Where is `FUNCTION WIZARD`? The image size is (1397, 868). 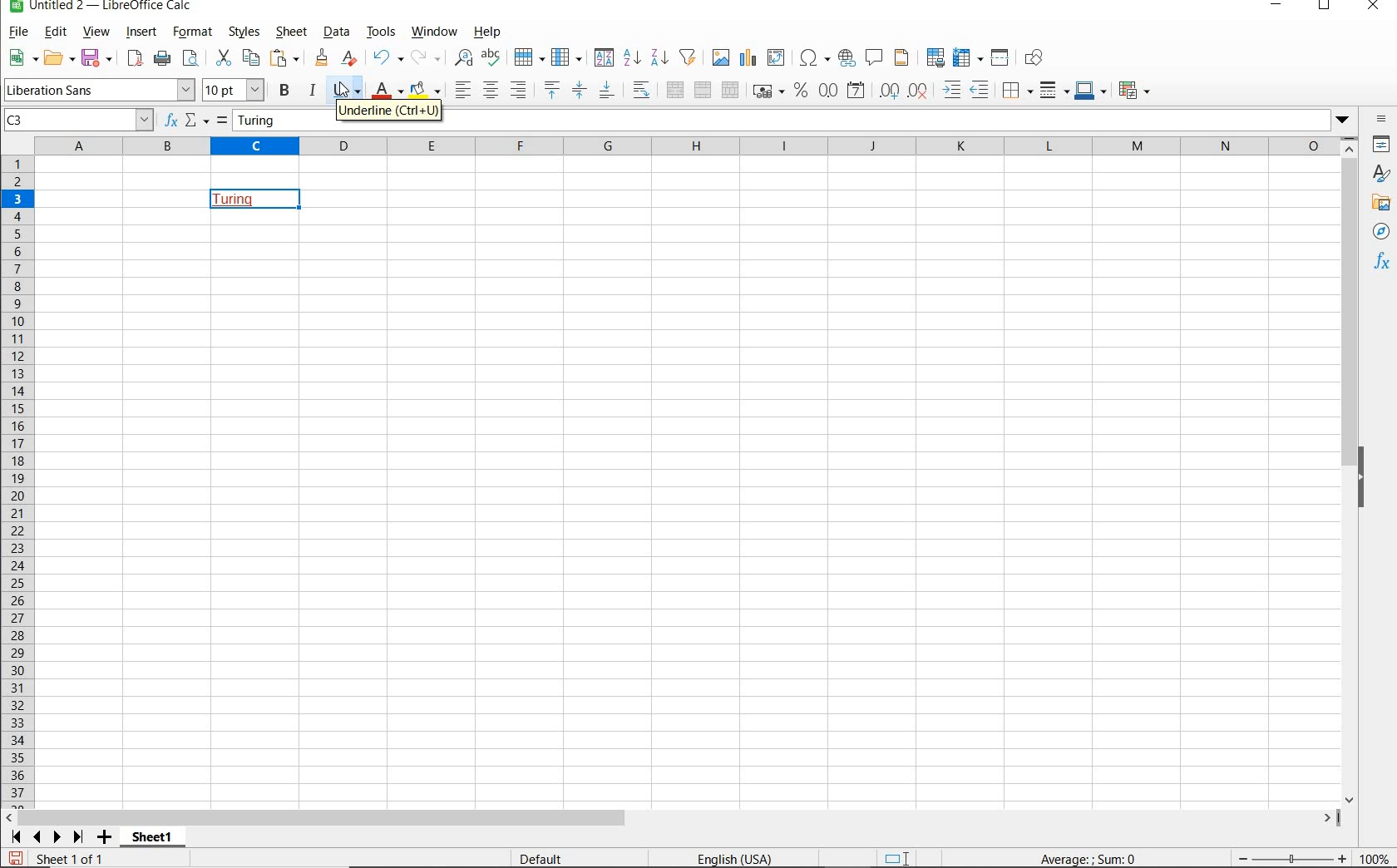
FUNCTION WIZARD is located at coordinates (171, 121).